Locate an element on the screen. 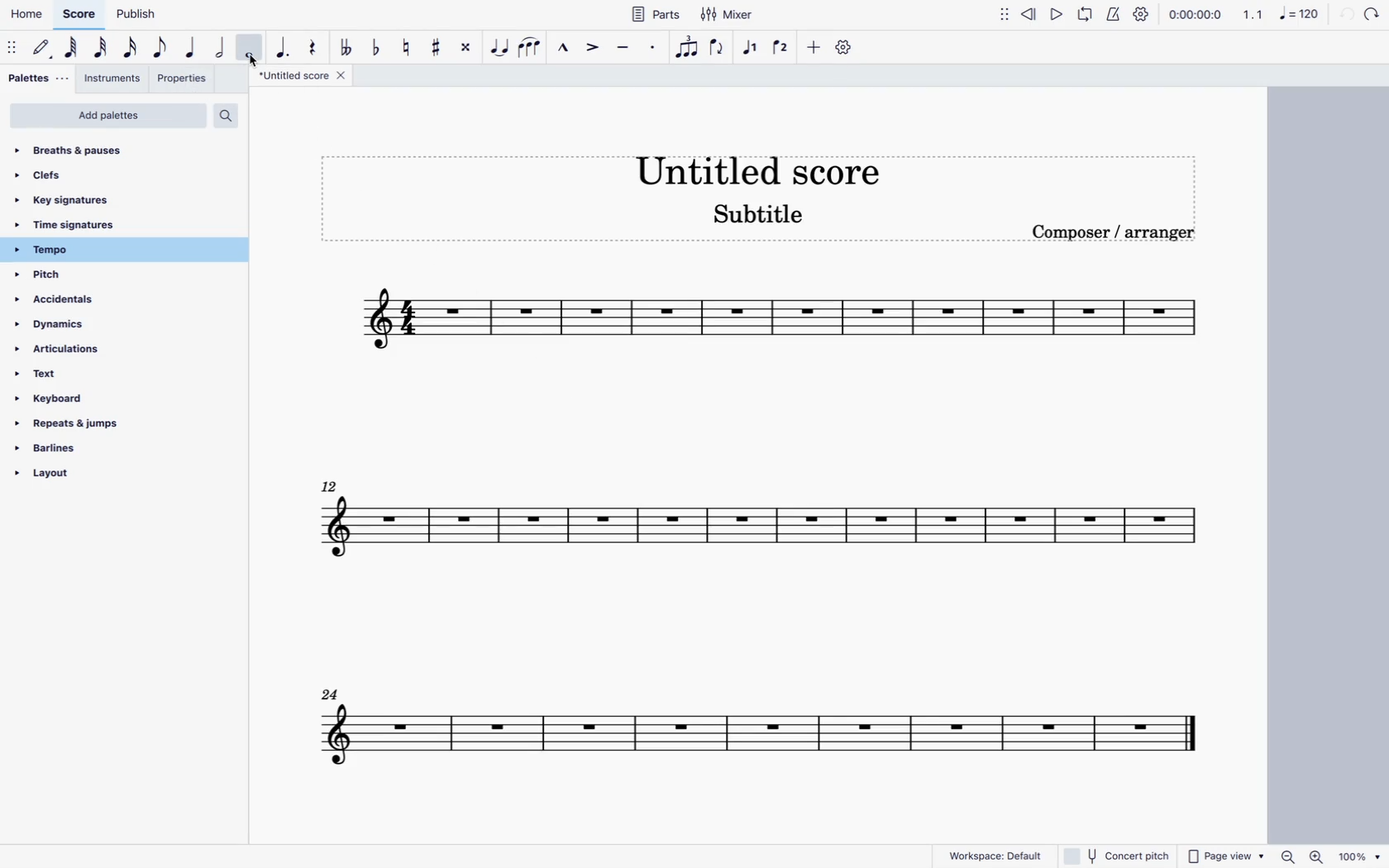 The image size is (1389, 868). forward is located at coordinates (1373, 17).